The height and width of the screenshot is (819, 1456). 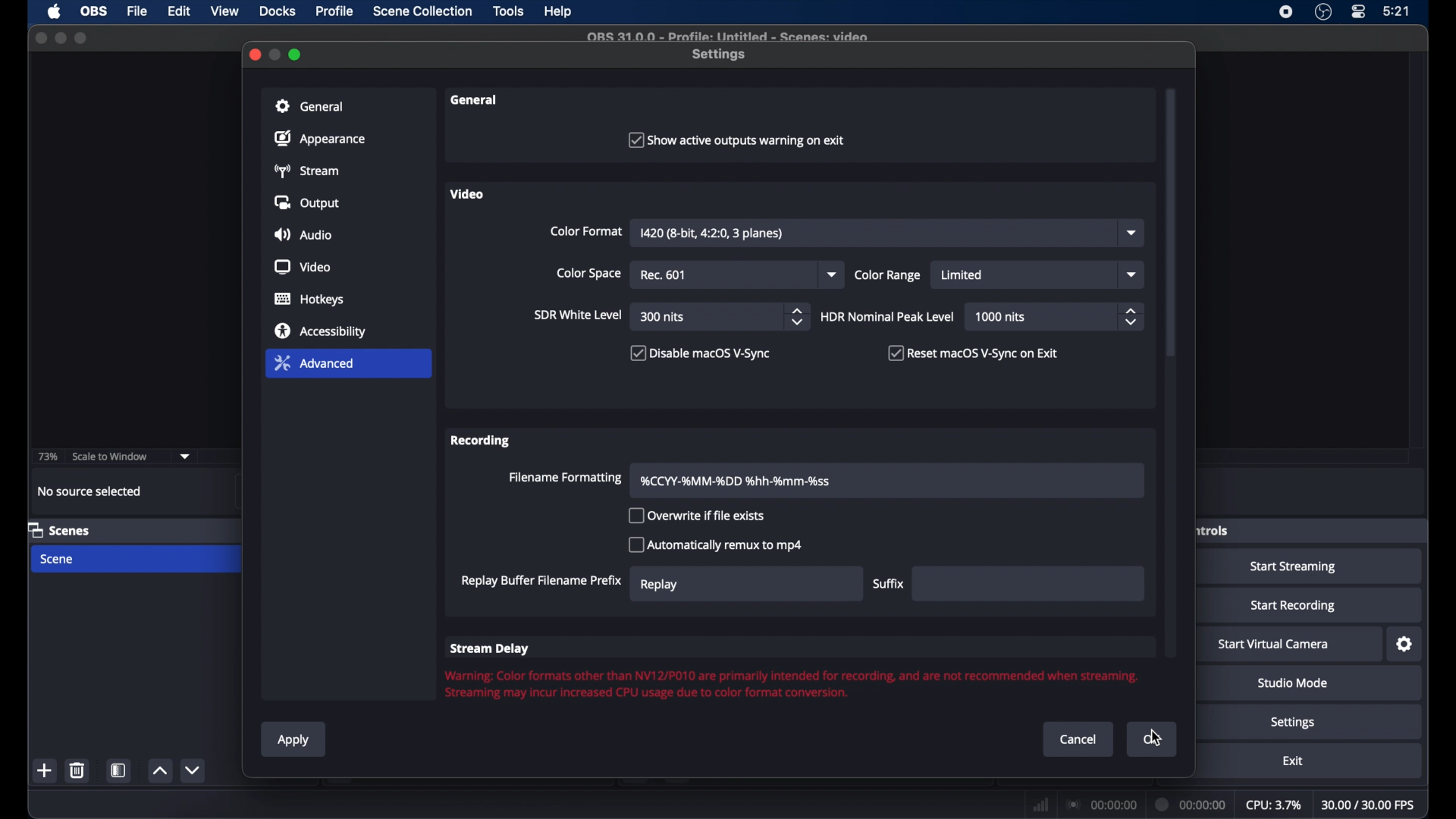 What do you see at coordinates (482, 441) in the screenshot?
I see `recording` at bounding box center [482, 441].